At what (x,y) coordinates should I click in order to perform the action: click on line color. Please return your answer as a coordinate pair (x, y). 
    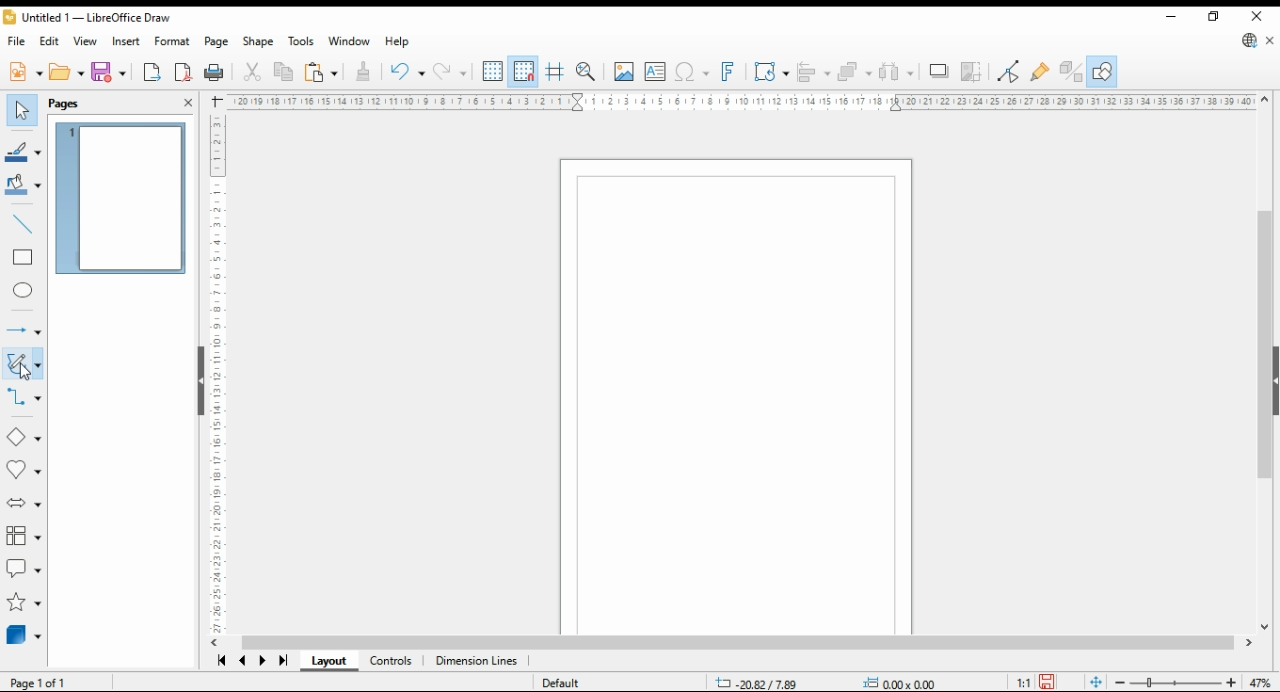
    Looking at the image, I should click on (24, 151).